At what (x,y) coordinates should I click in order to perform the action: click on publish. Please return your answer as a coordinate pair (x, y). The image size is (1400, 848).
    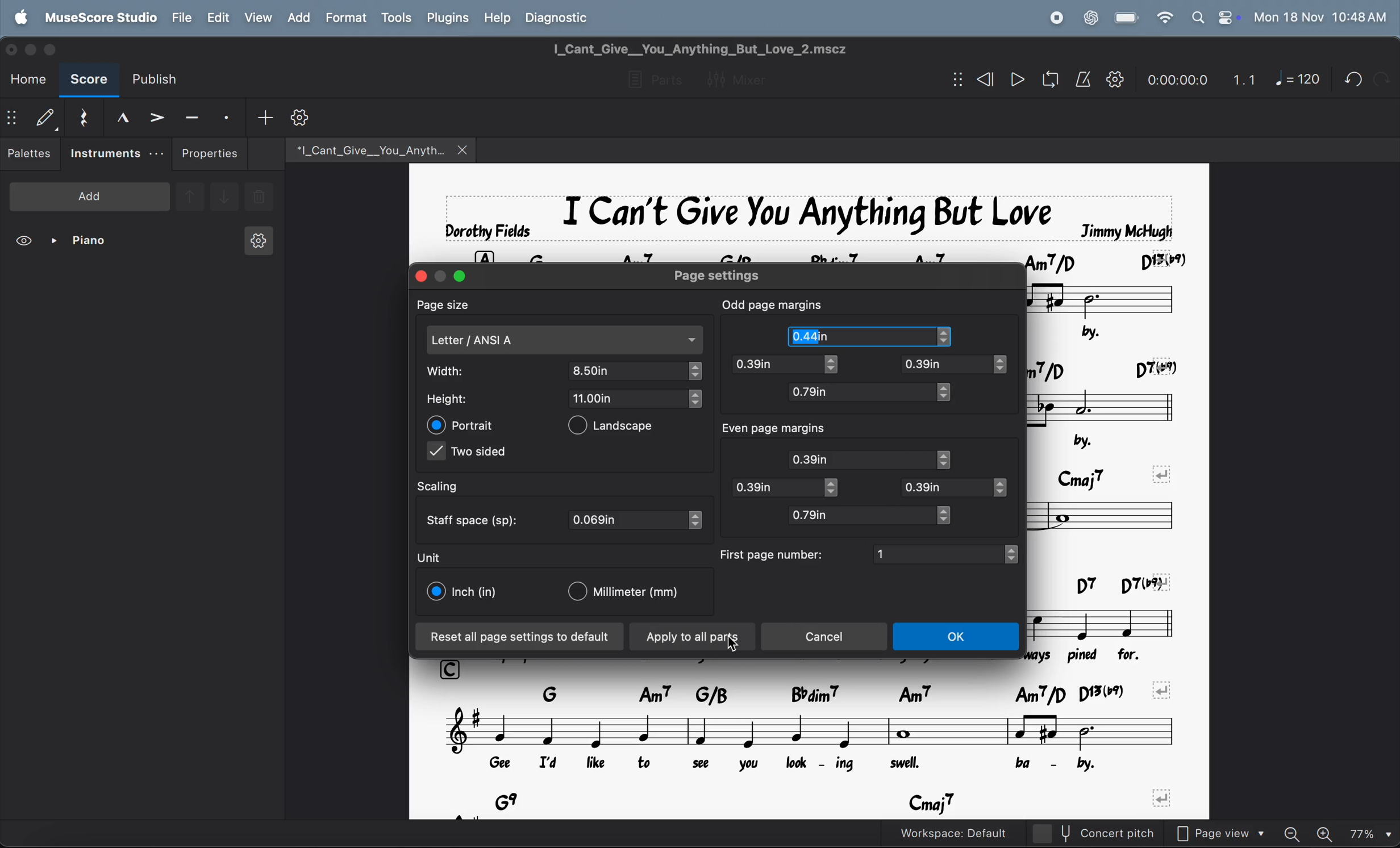
    Looking at the image, I should click on (160, 80).